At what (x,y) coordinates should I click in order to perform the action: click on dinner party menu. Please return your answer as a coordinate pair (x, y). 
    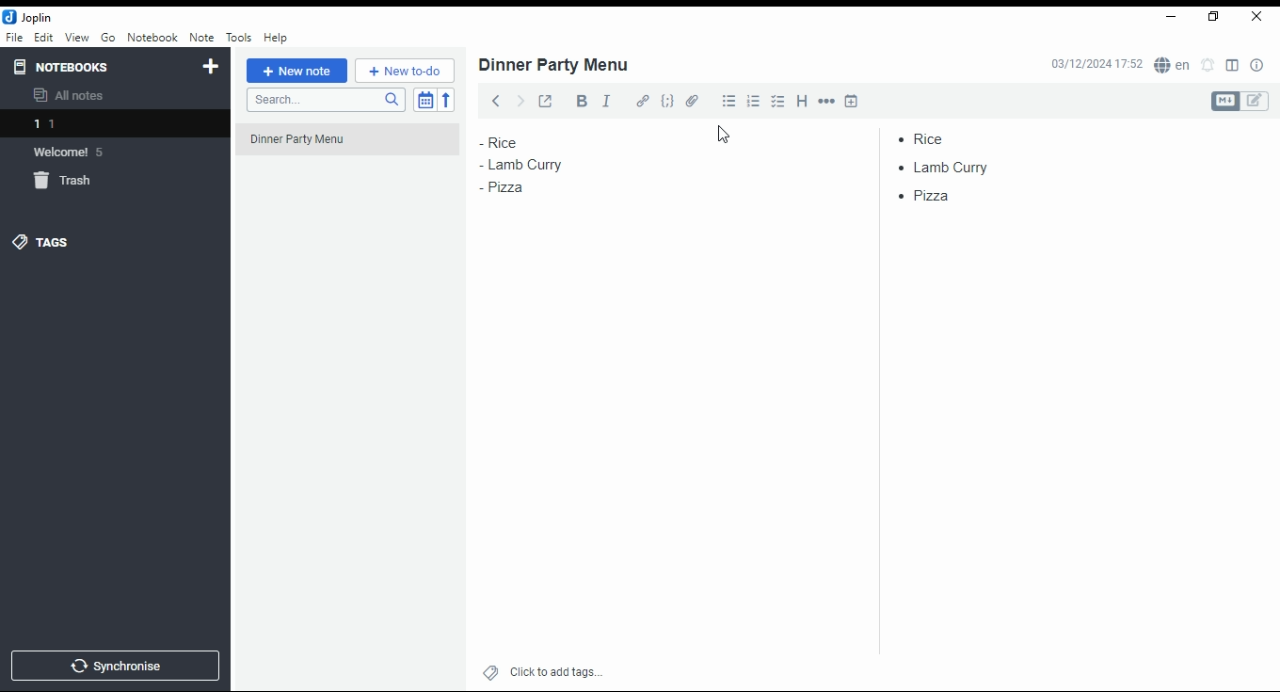
    Looking at the image, I should click on (353, 146).